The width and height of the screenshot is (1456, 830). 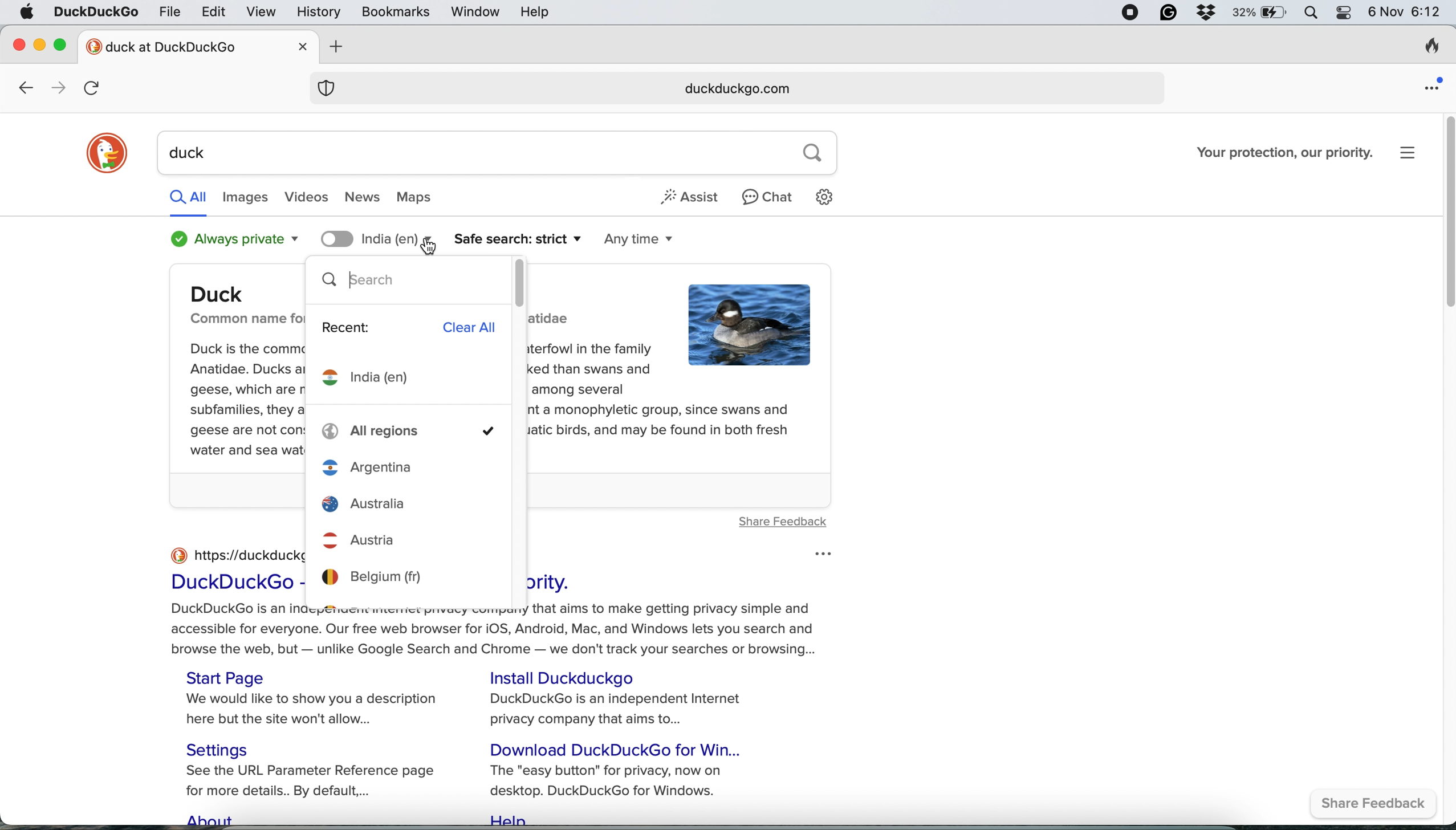 What do you see at coordinates (813, 153) in the screenshot?
I see `search button` at bounding box center [813, 153].